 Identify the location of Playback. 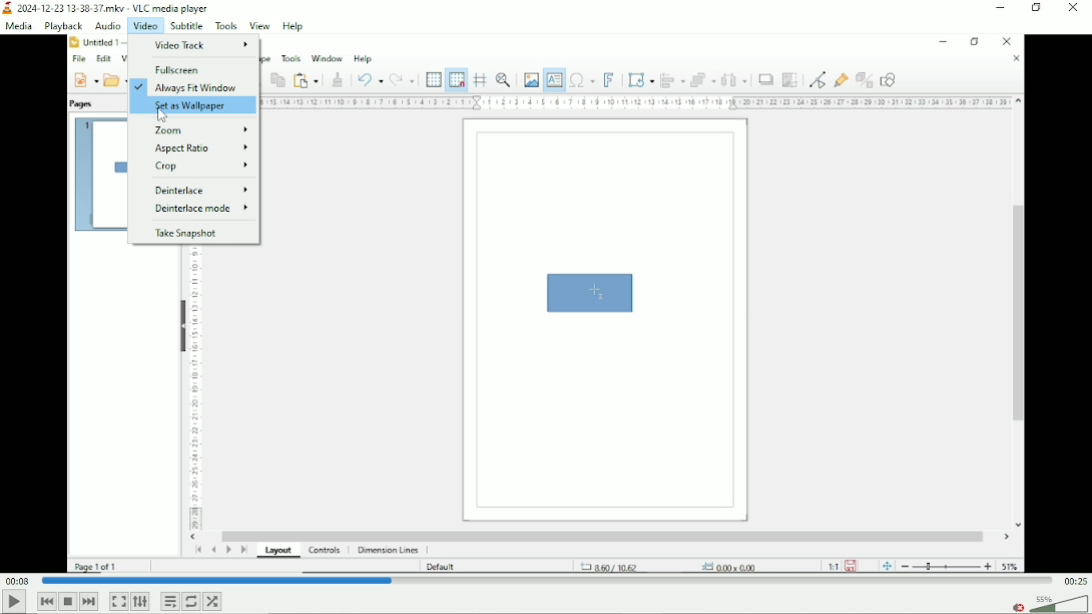
(63, 26).